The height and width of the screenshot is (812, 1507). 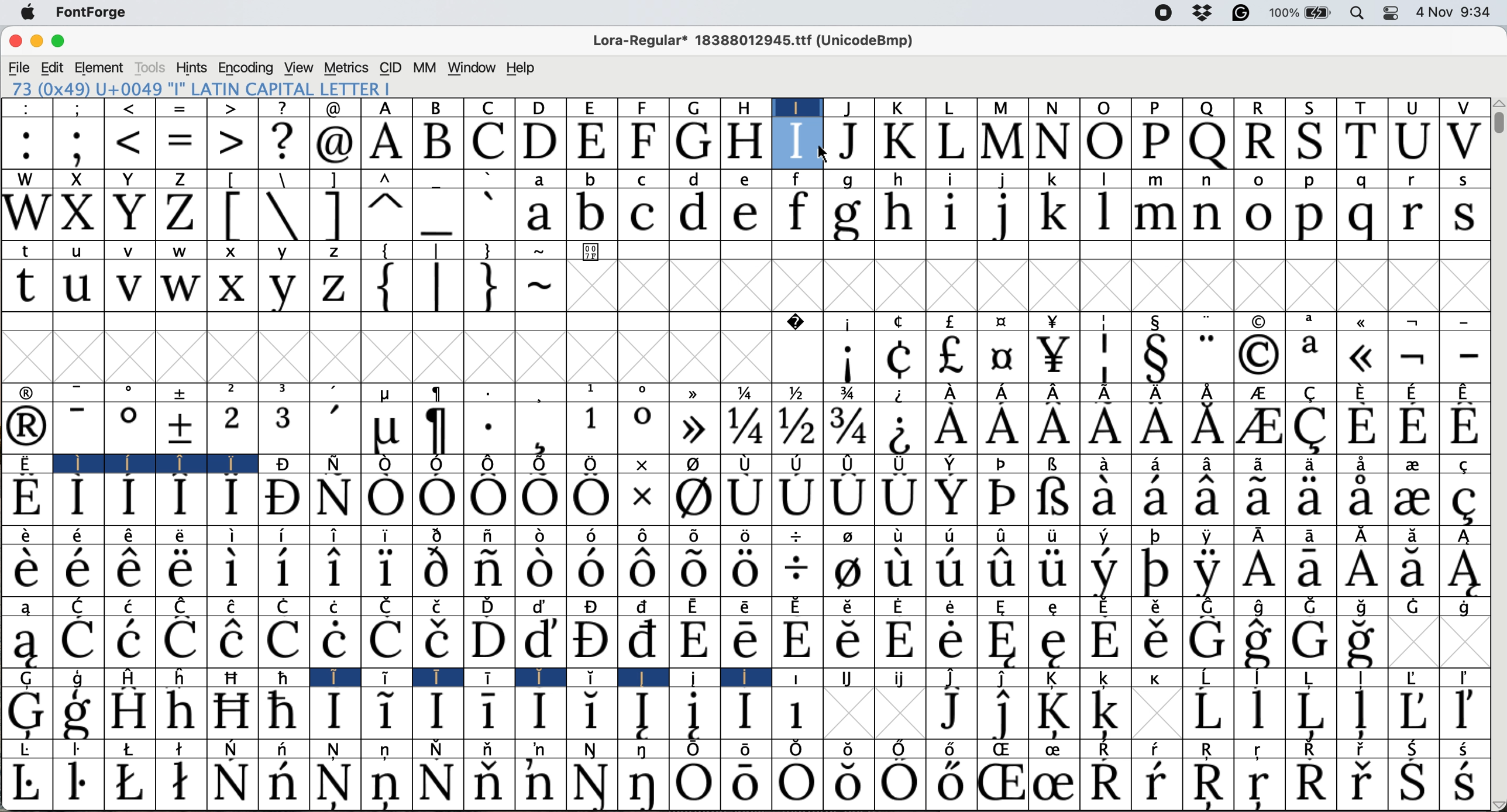 I want to click on ?, so click(x=283, y=142).